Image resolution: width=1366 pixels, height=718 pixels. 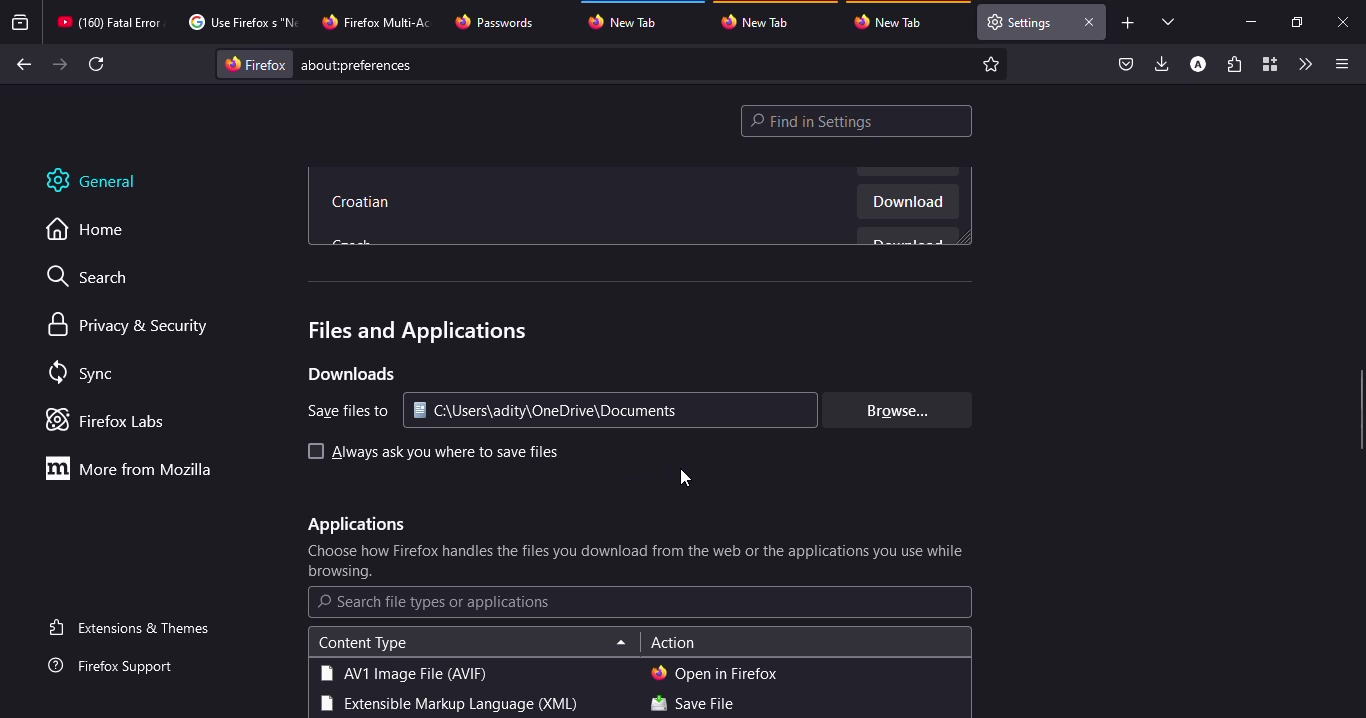 I want to click on sort, so click(x=621, y=644).